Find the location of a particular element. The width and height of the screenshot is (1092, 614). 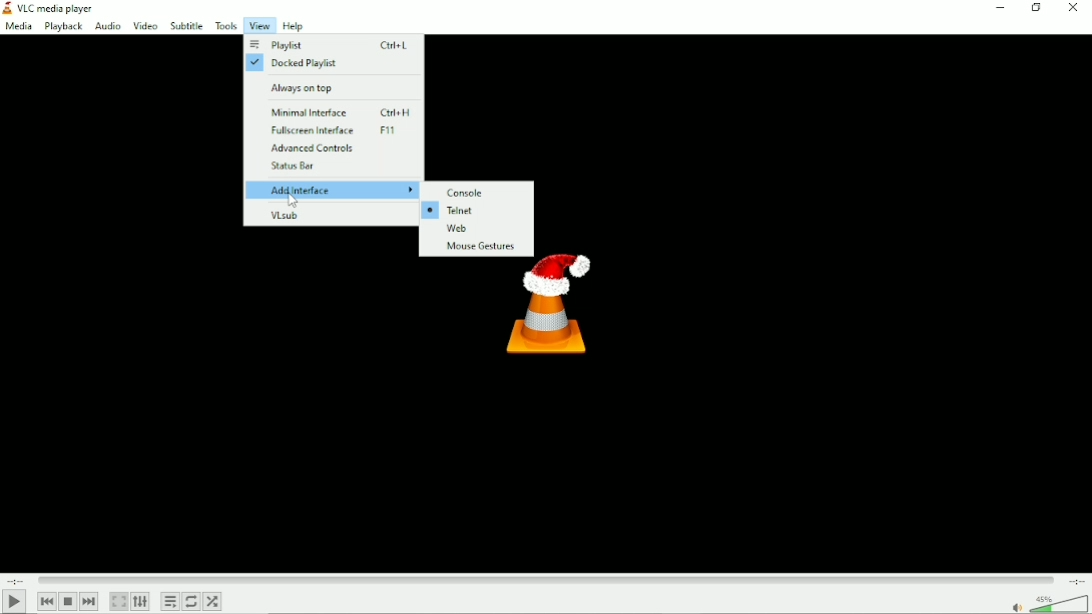

Mouse gestures is located at coordinates (478, 248).